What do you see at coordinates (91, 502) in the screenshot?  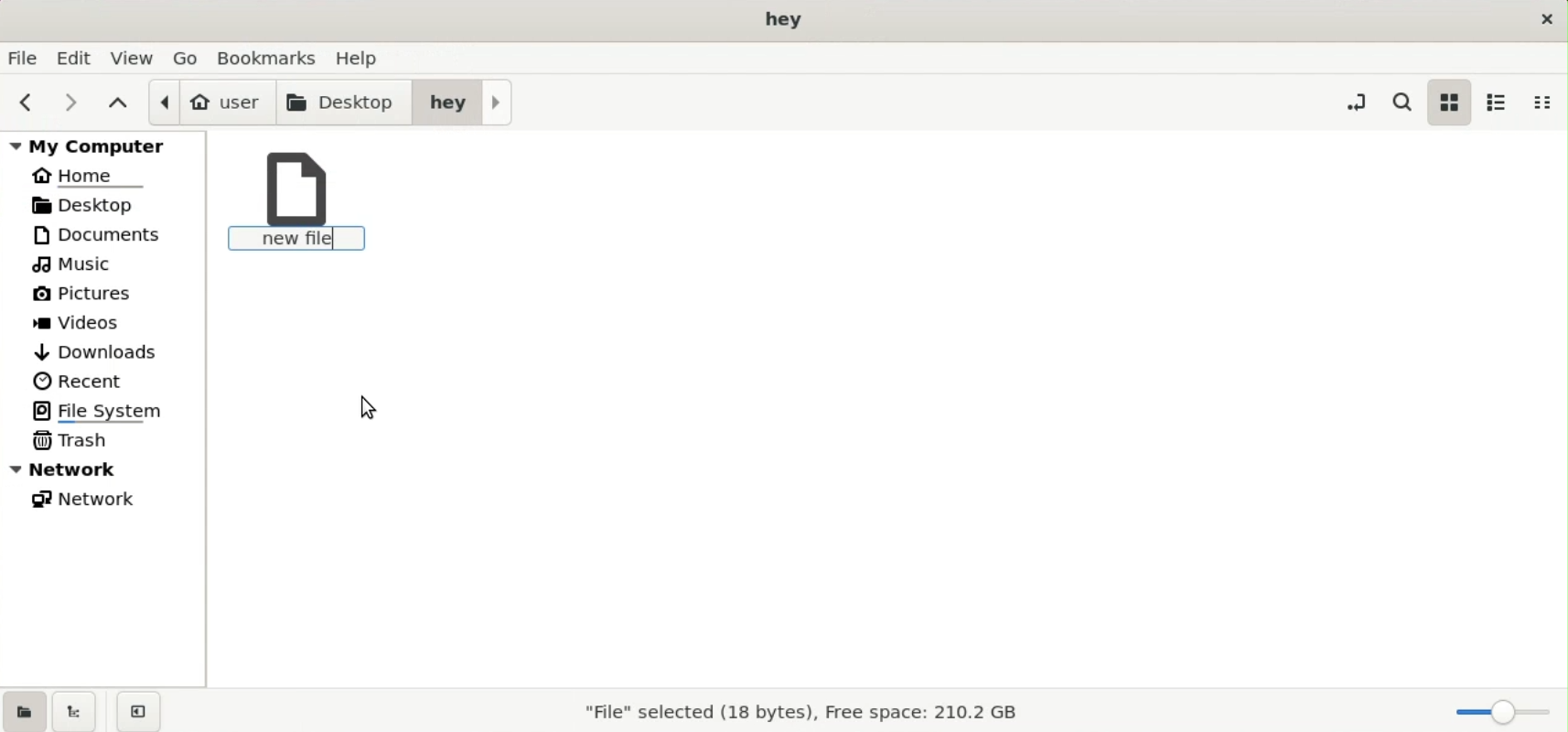 I see `network` at bounding box center [91, 502].